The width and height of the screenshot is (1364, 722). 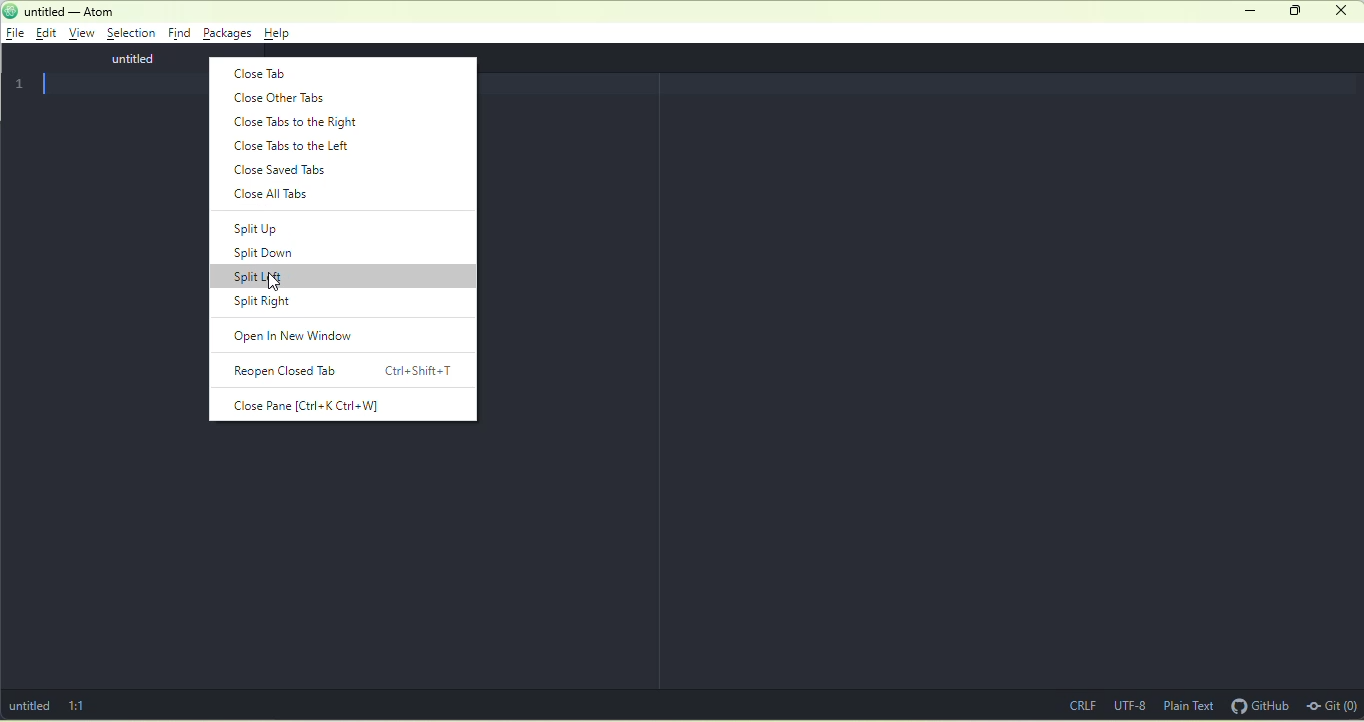 I want to click on close saved tabs, so click(x=283, y=169).